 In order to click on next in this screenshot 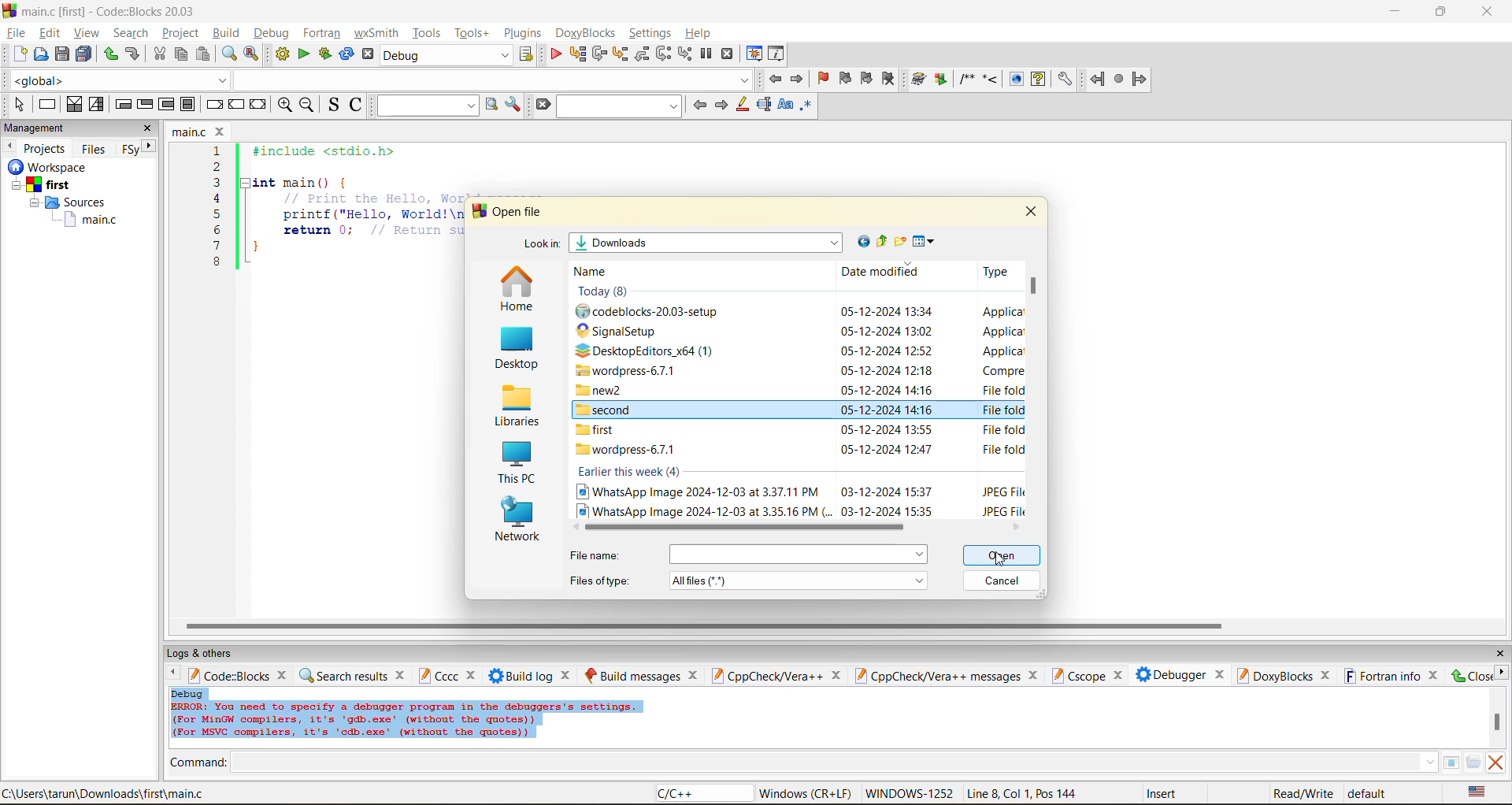, I will do `click(150, 146)`.